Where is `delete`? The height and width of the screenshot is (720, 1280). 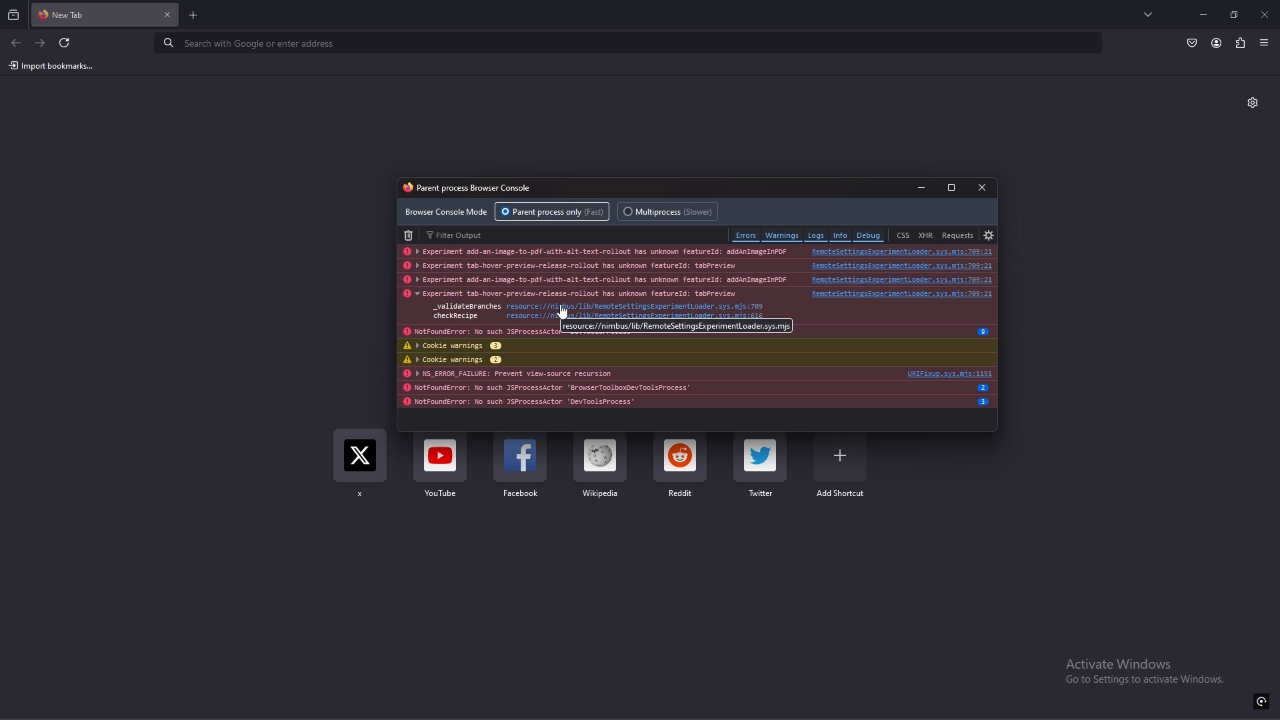
delete is located at coordinates (410, 235).